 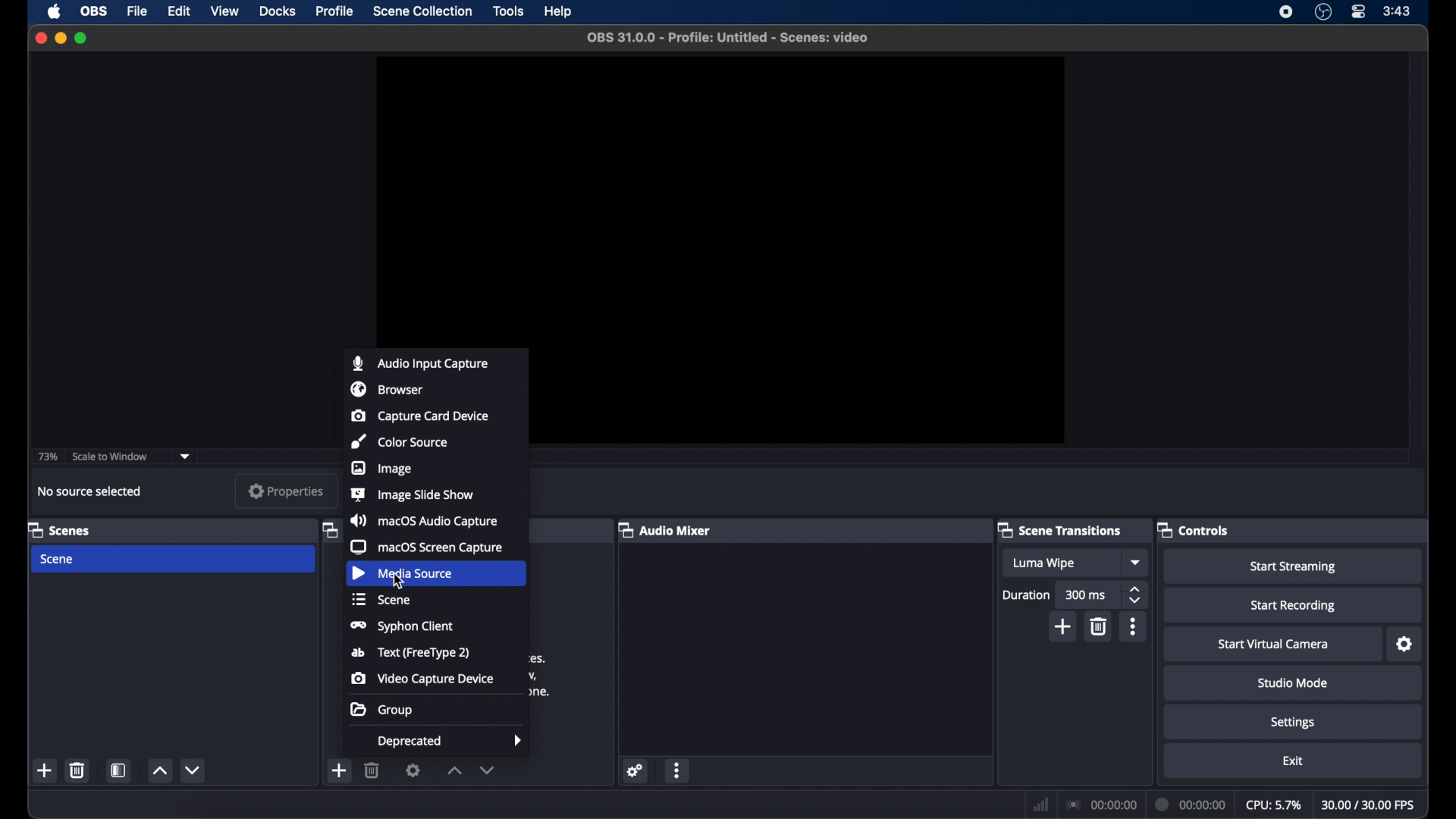 What do you see at coordinates (1193, 530) in the screenshot?
I see `controls` at bounding box center [1193, 530].